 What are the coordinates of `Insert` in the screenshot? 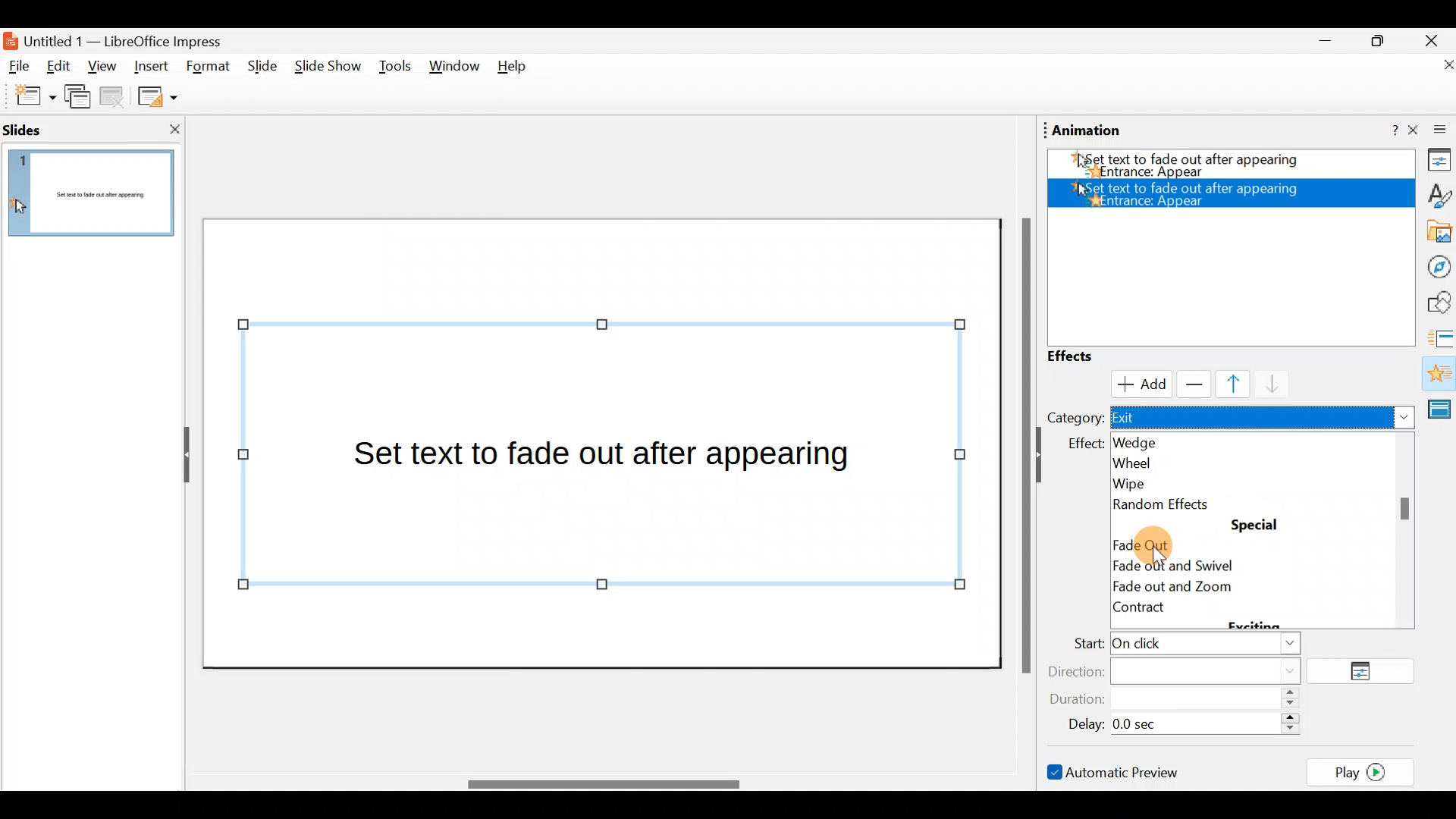 It's located at (151, 64).